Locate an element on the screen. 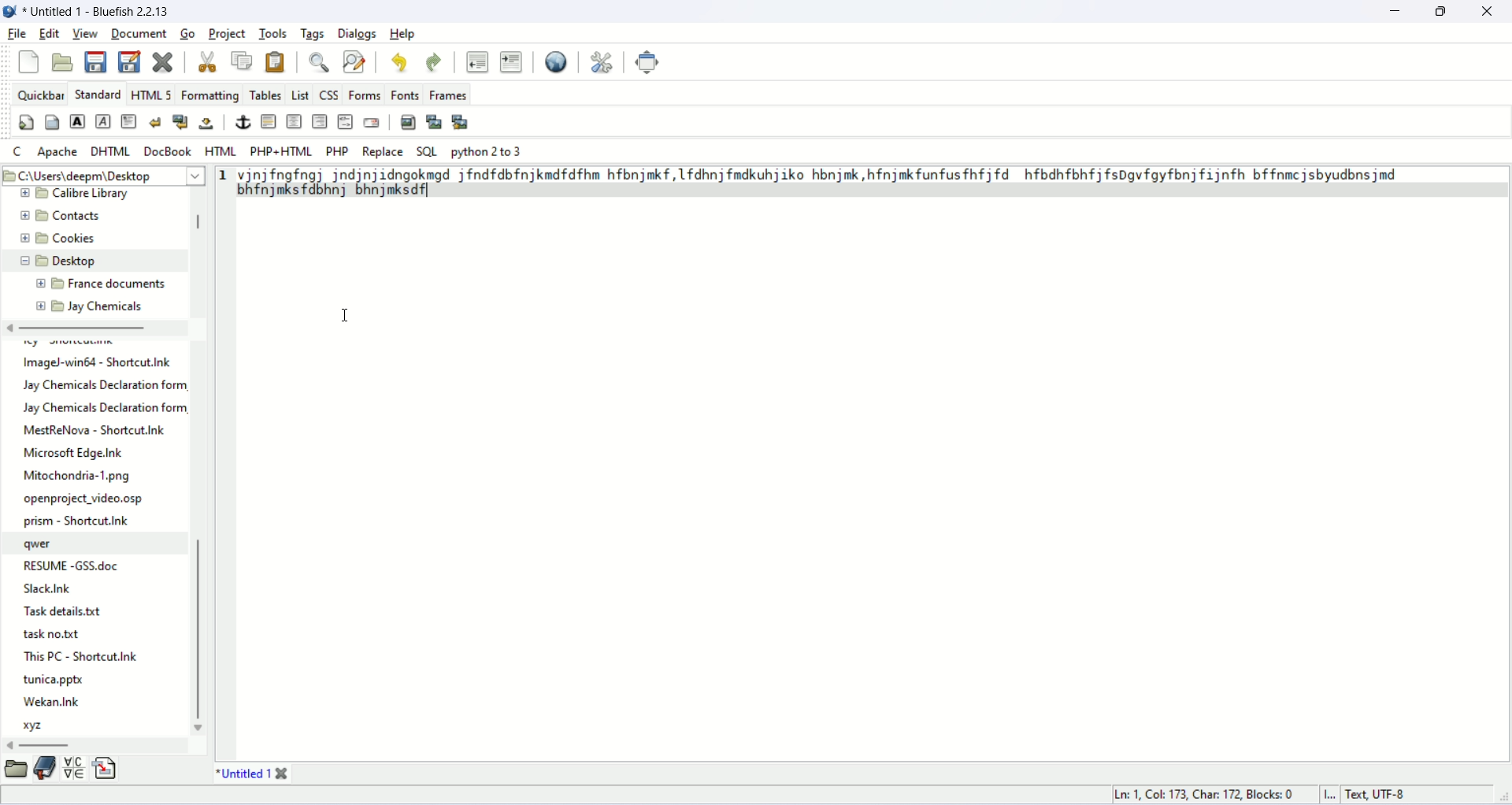 Image resolution: width=1512 pixels, height=805 pixels. prism - Shortcut.Ink is located at coordinates (78, 521).